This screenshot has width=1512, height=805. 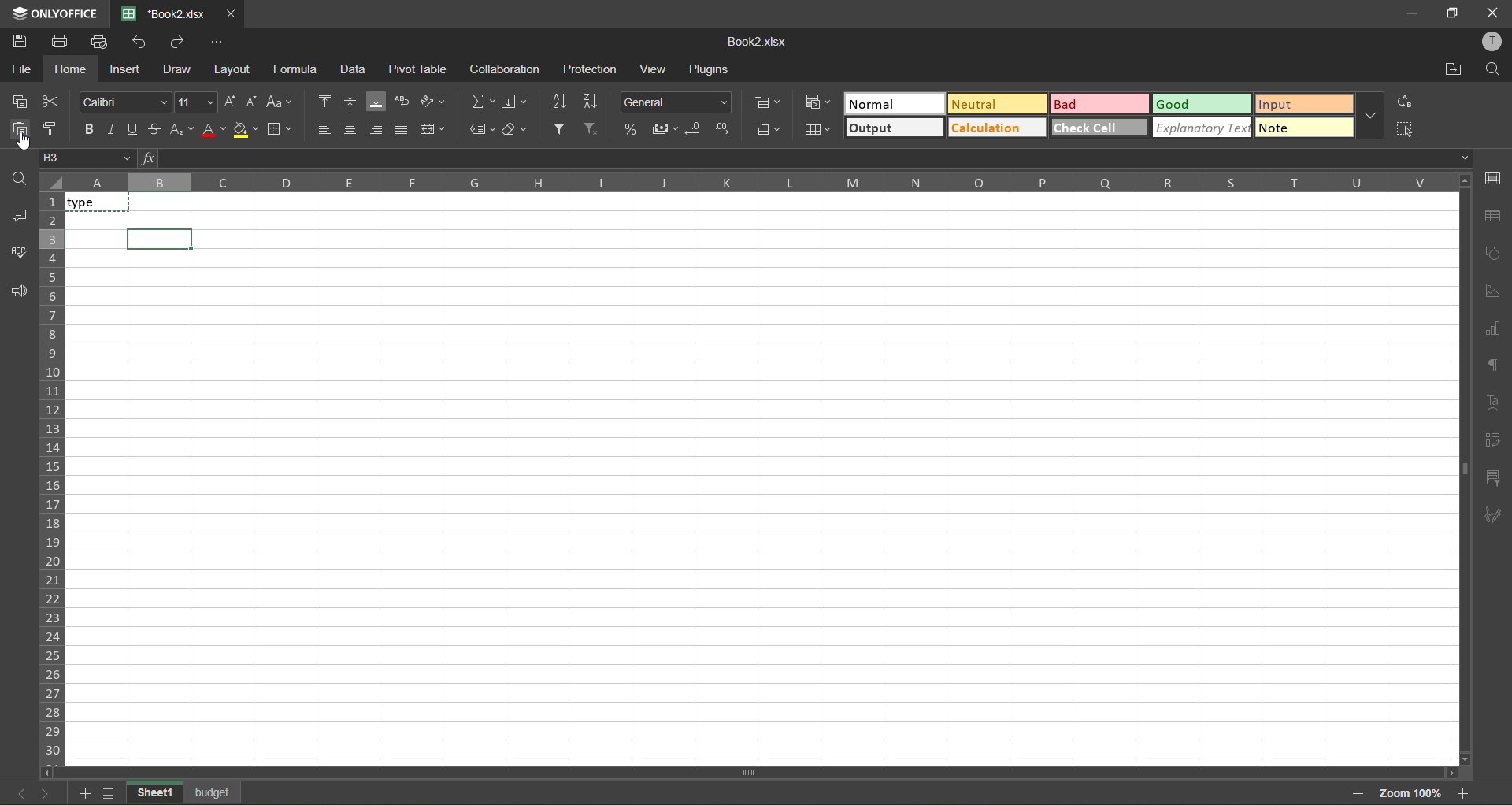 I want to click on paragraph, so click(x=1492, y=364).